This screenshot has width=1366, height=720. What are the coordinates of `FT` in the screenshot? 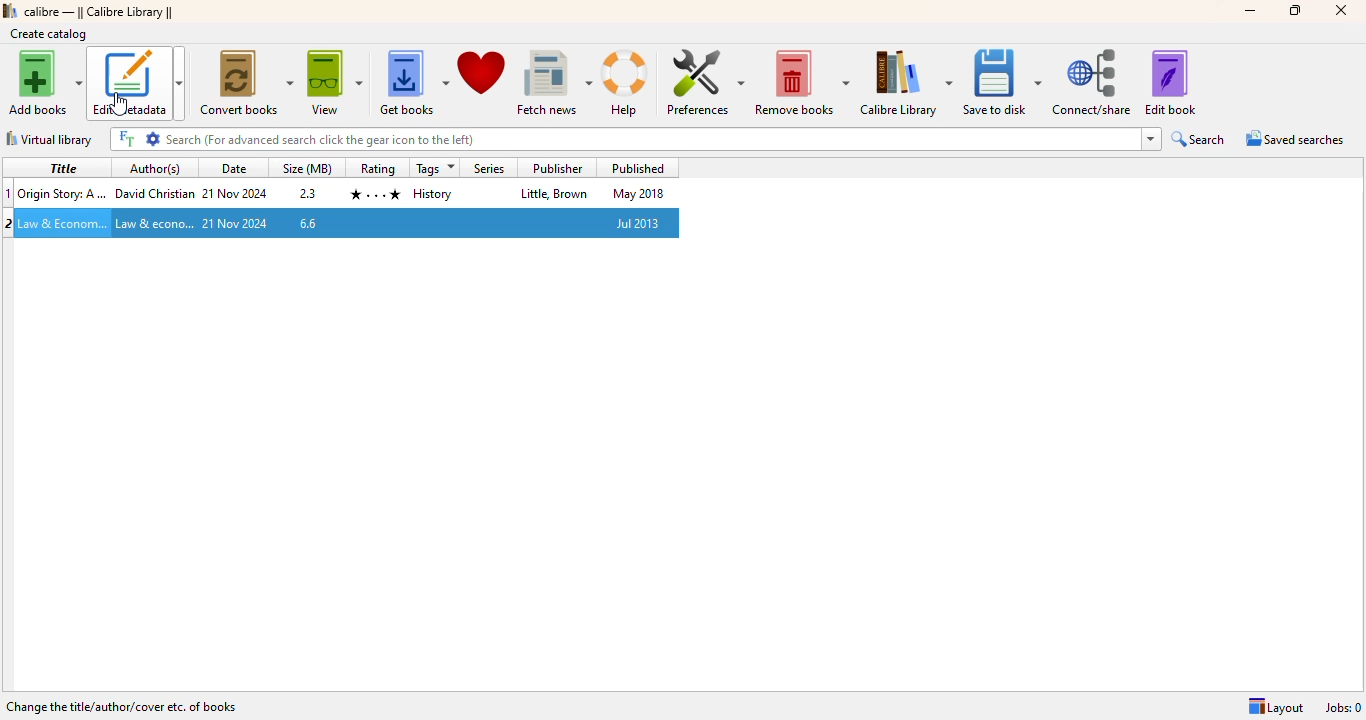 It's located at (124, 138).